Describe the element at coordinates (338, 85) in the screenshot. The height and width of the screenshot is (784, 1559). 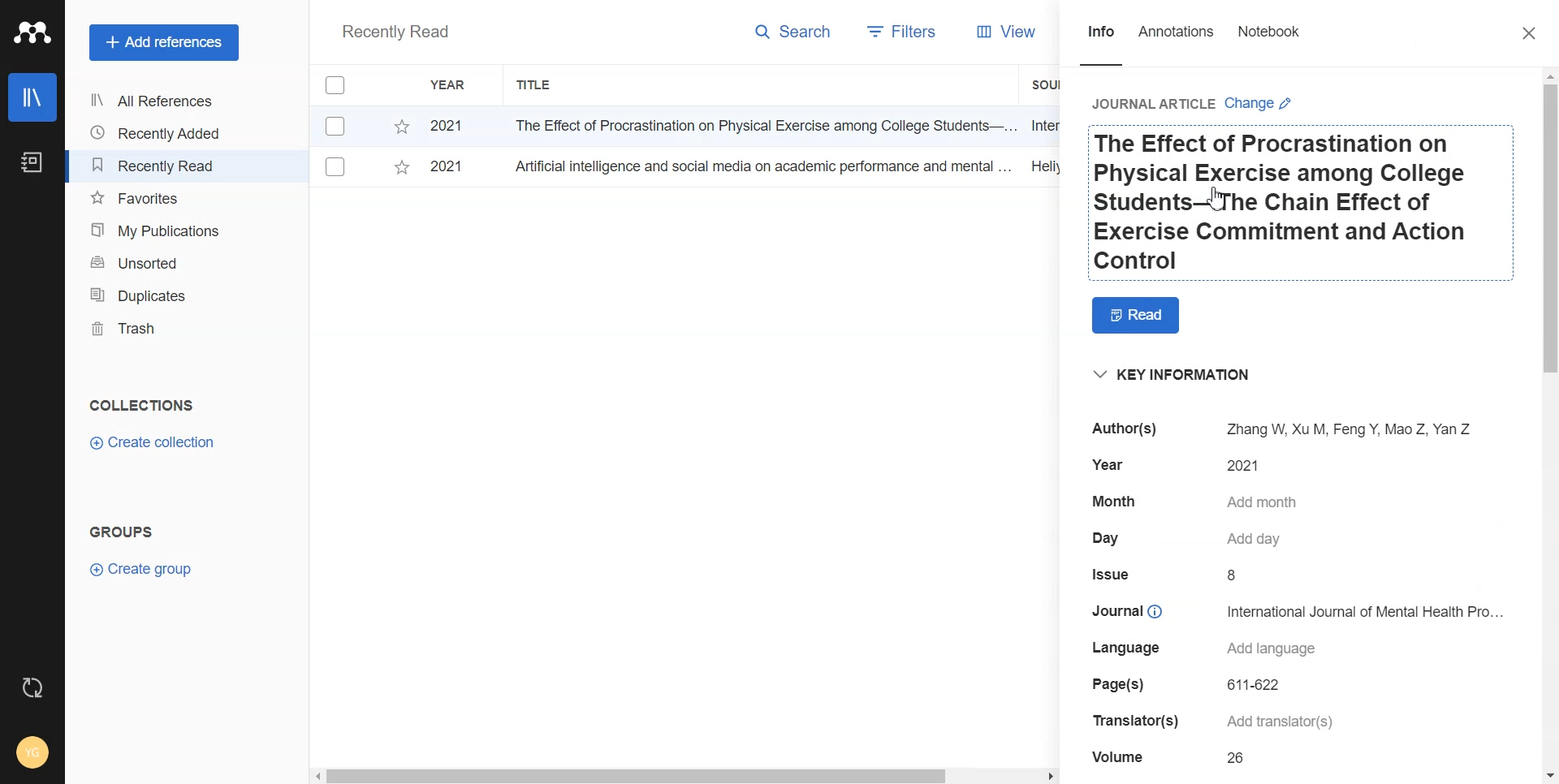
I see `Checkbox` at that location.